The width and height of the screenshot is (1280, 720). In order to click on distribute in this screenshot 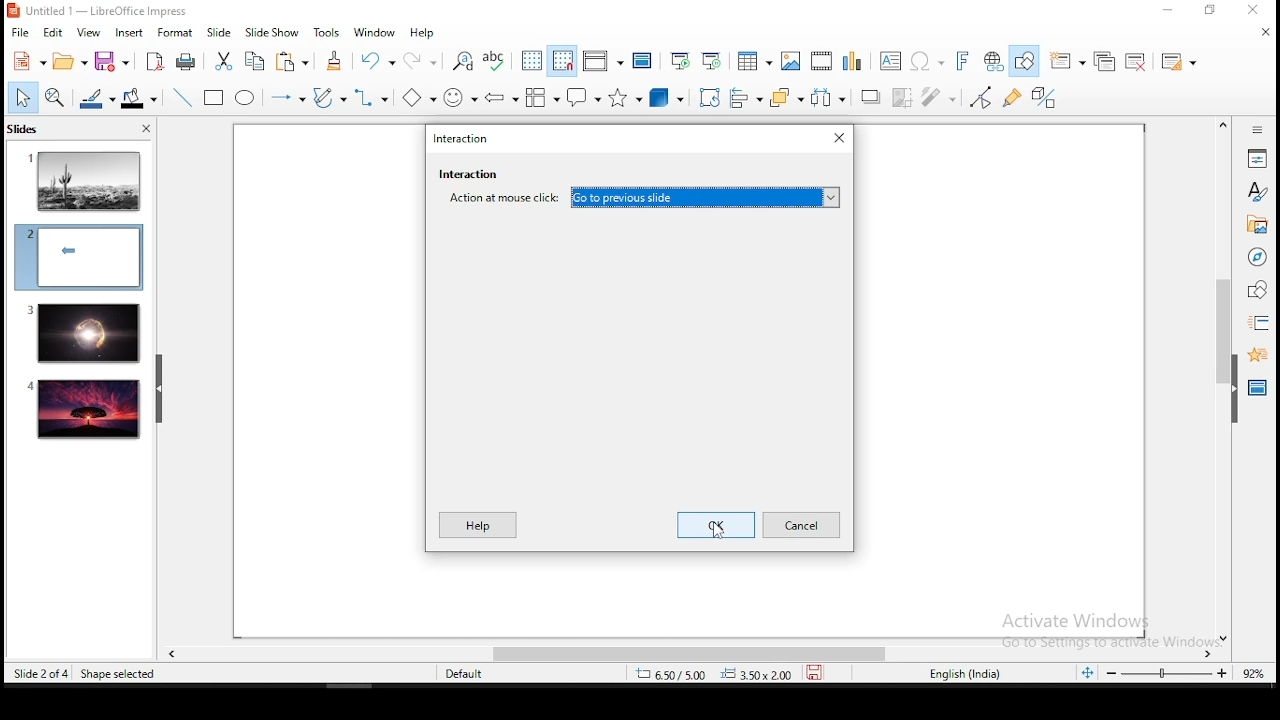, I will do `click(830, 98)`.